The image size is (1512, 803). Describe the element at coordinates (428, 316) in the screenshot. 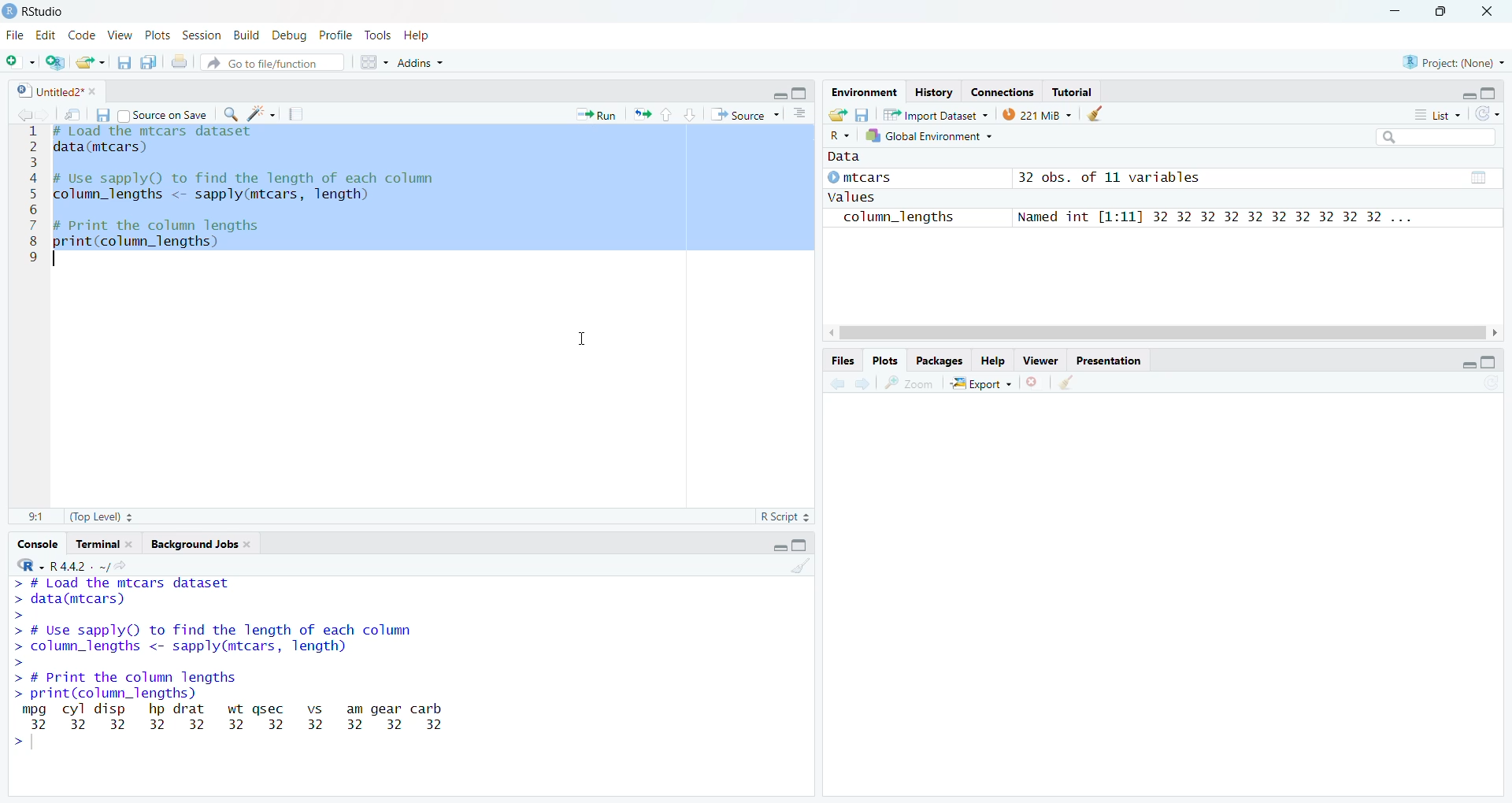

I see `Code Editor` at that location.